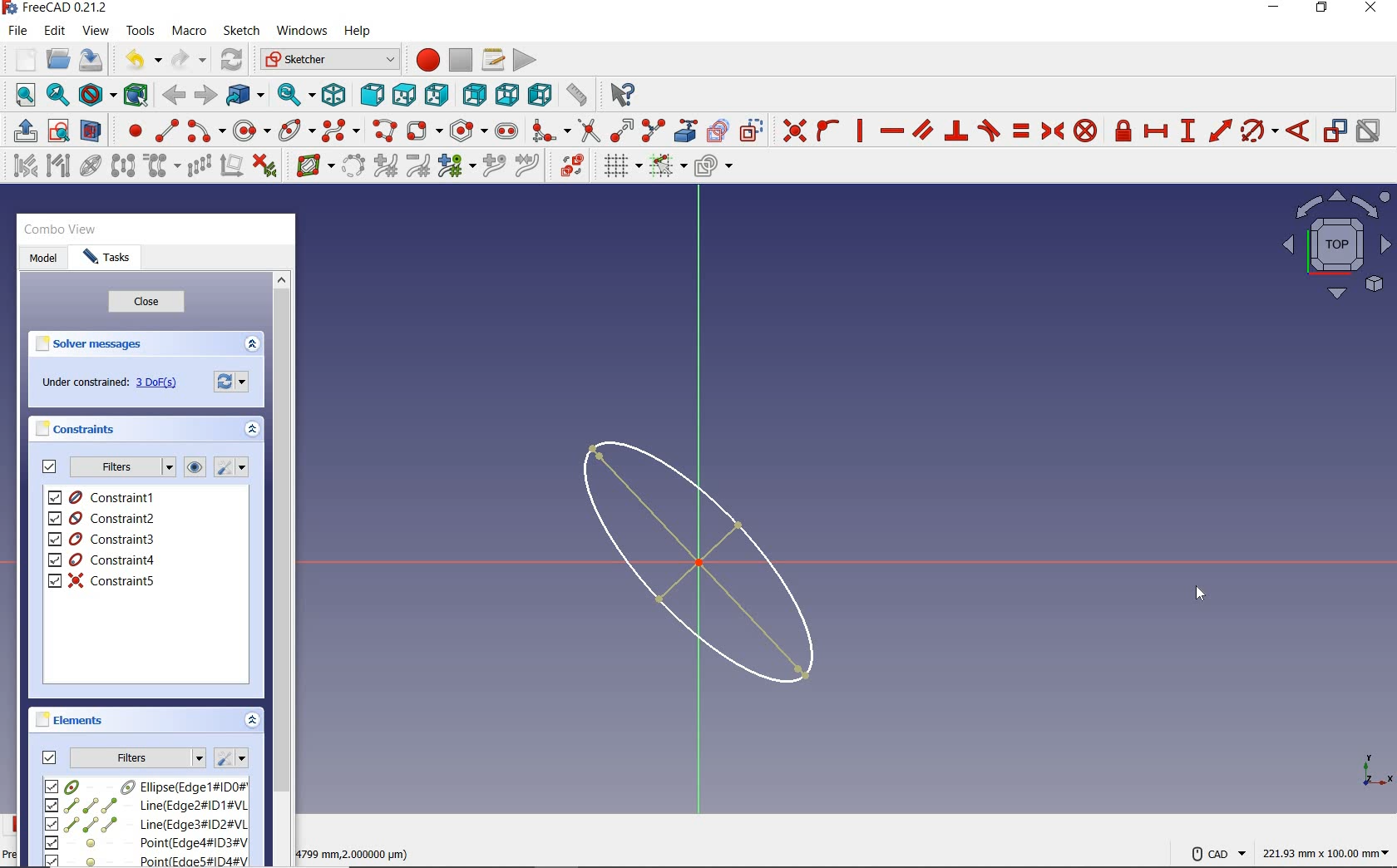 The image size is (1397, 868). Describe the element at coordinates (1124, 131) in the screenshot. I see `constrin lock` at that location.